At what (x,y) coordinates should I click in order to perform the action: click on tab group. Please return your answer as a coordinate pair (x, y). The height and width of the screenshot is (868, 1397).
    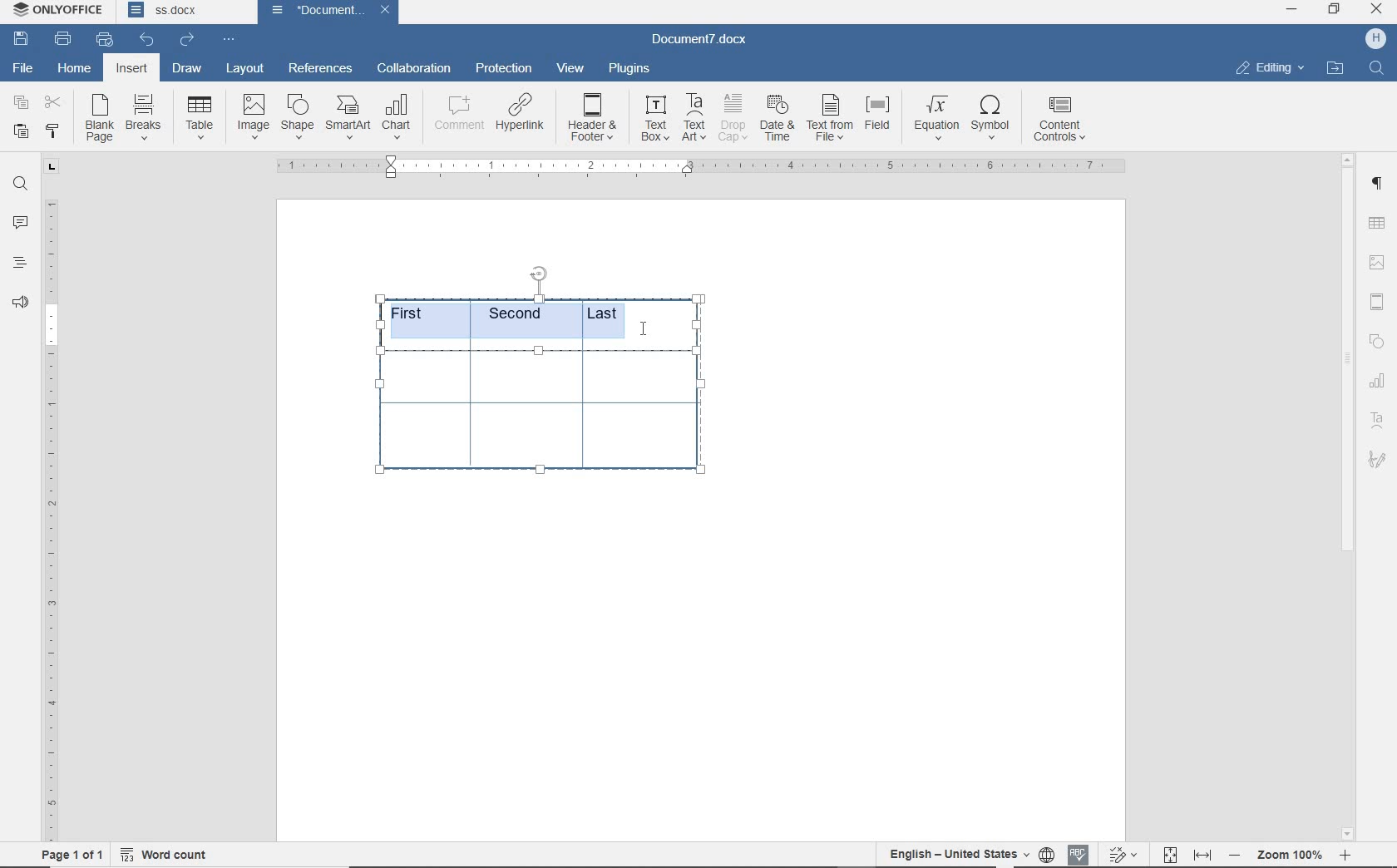
    Looking at the image, I should click on (49, 167).